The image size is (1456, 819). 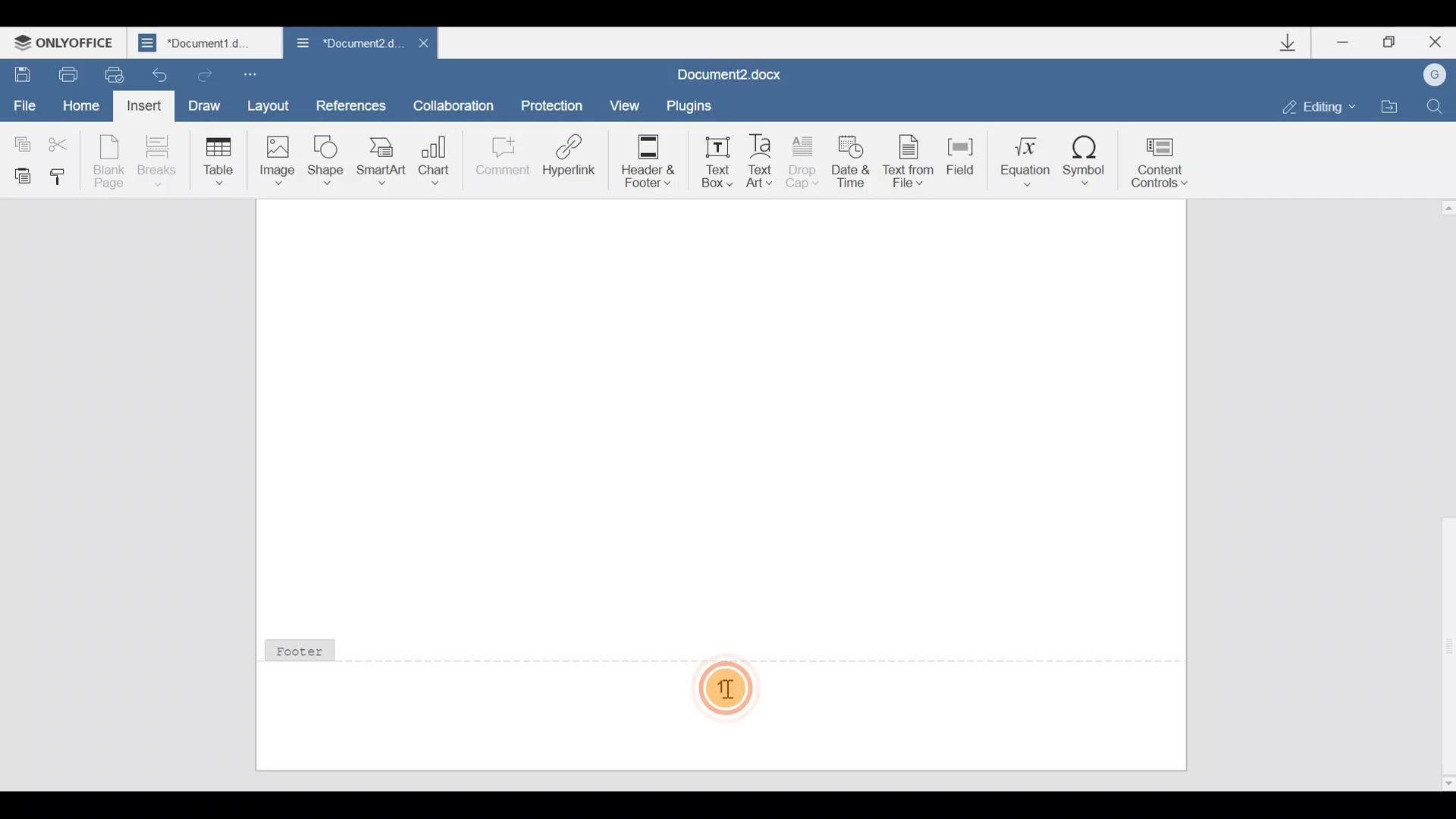 What do you see at coordinates (273, 105) in the screenshot?
I see `Layout` at bounding box center [273, 105].